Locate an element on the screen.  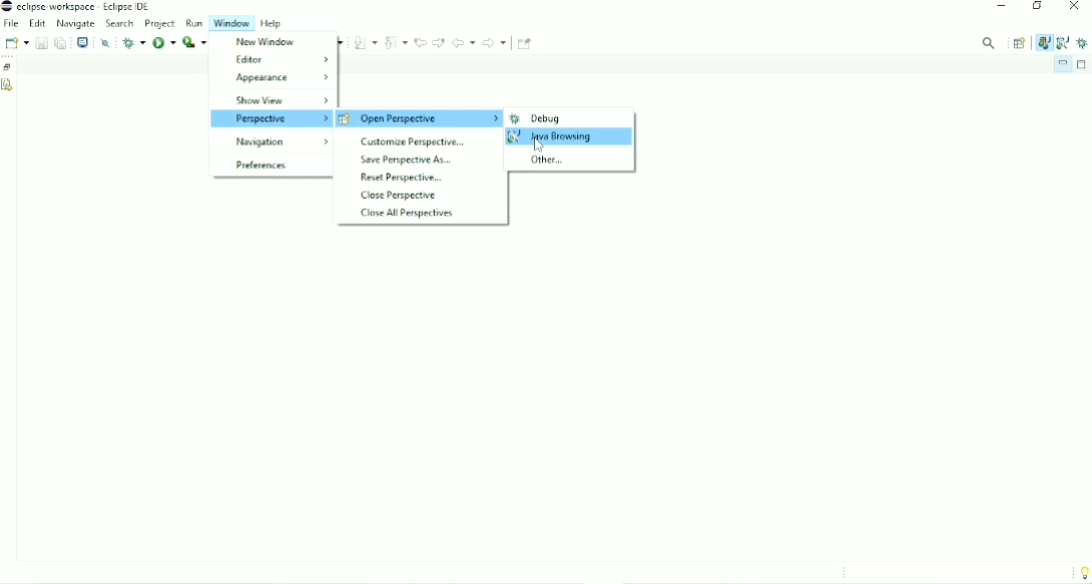
Forward  is located at coordinates (496, 42).